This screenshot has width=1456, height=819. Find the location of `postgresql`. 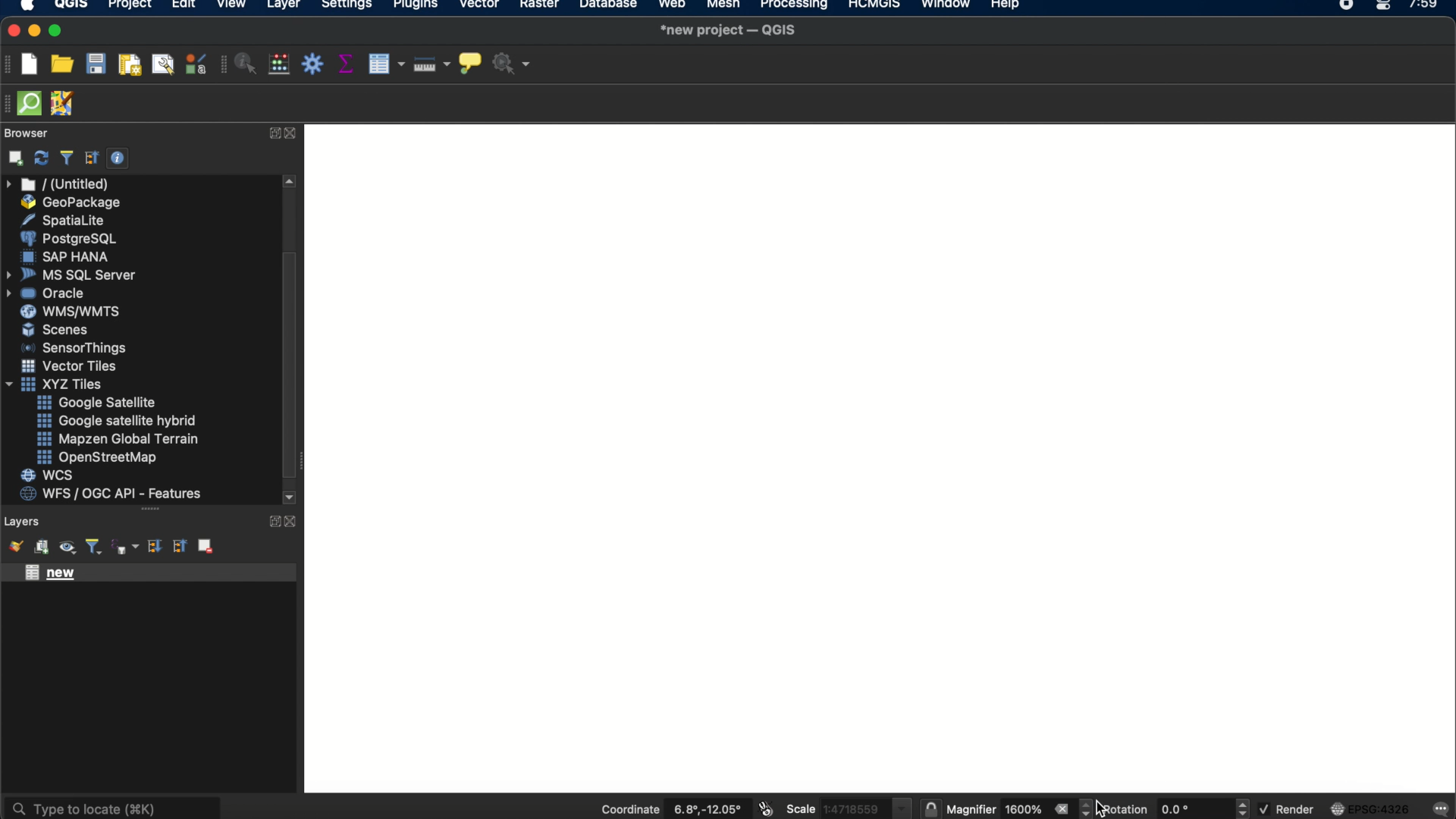

postgresql is located at coordinates (68, 239).